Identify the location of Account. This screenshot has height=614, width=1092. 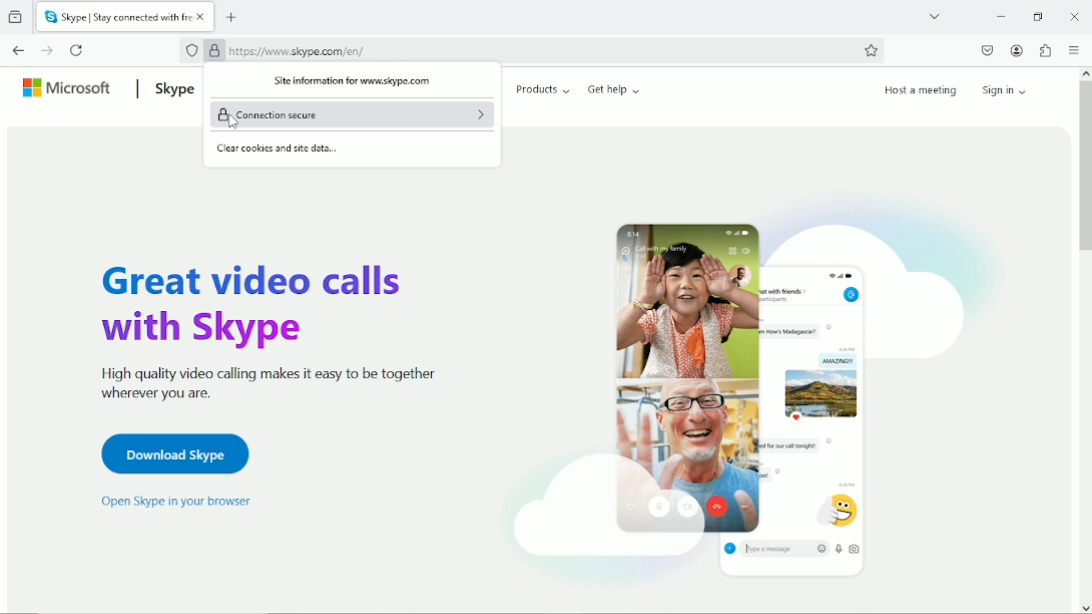
(1017, 51).